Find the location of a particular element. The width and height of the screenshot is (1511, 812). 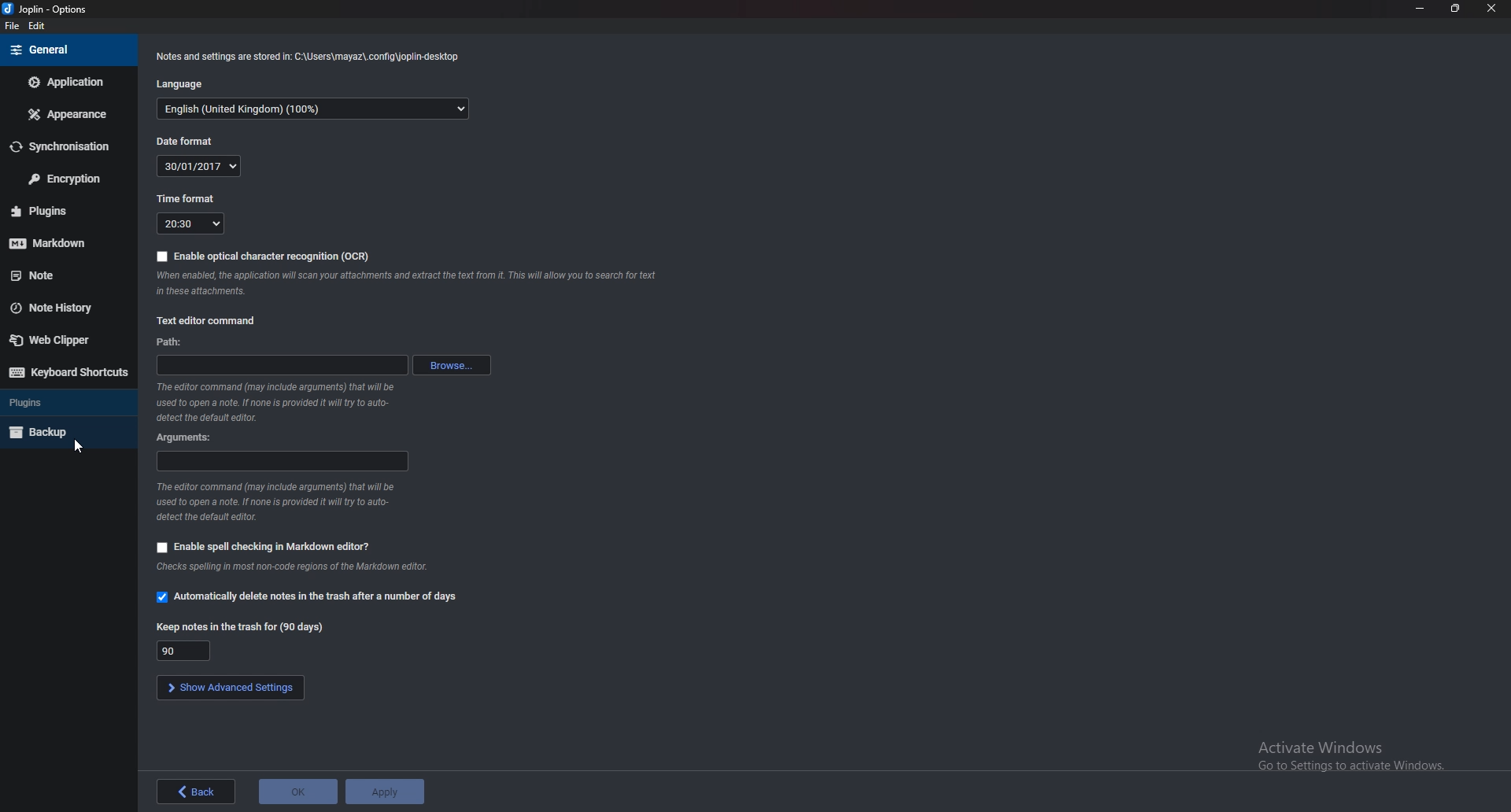

Time format is located at coordinates (186, 198).